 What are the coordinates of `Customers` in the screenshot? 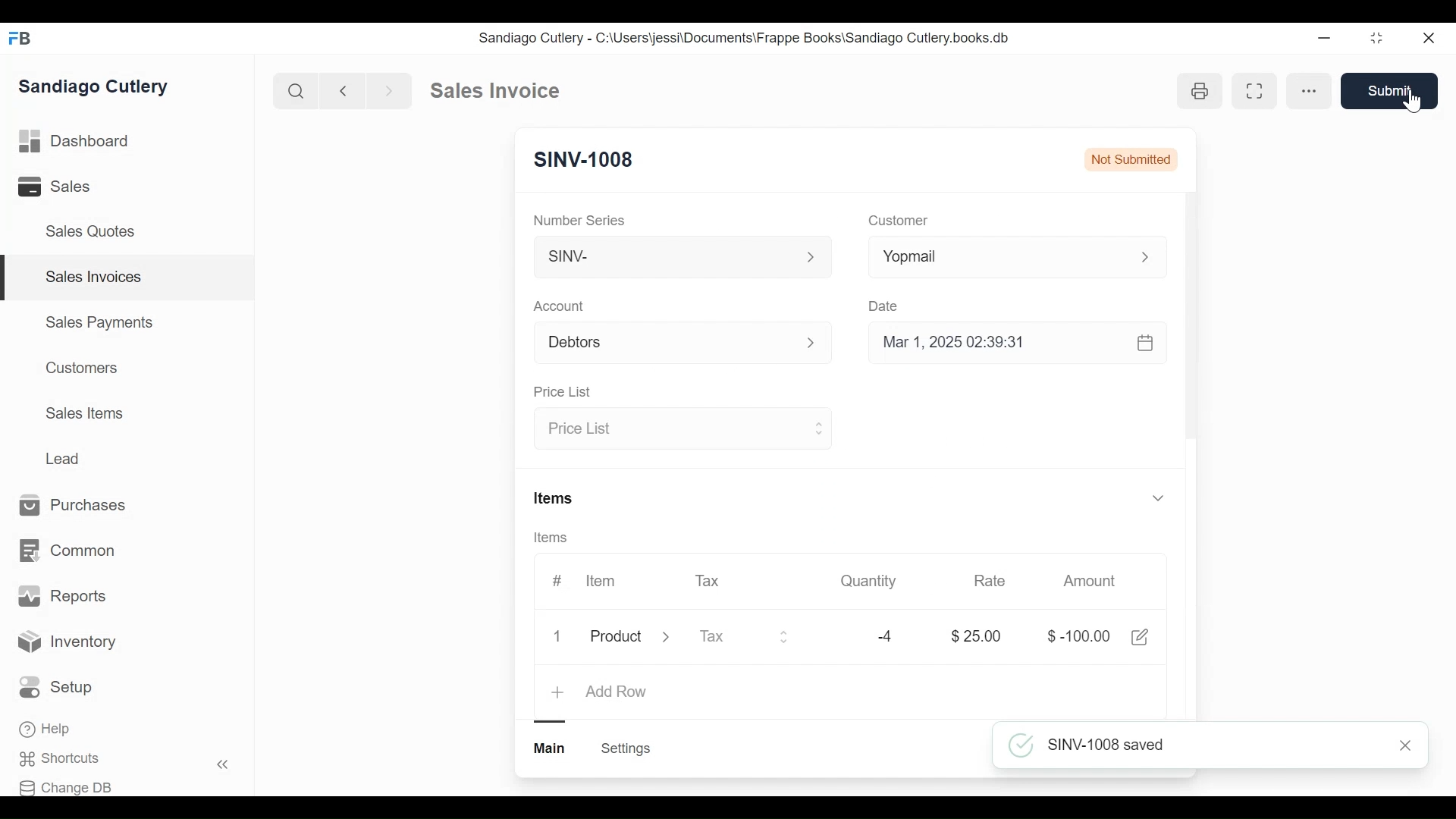 It's located at (83, 367).